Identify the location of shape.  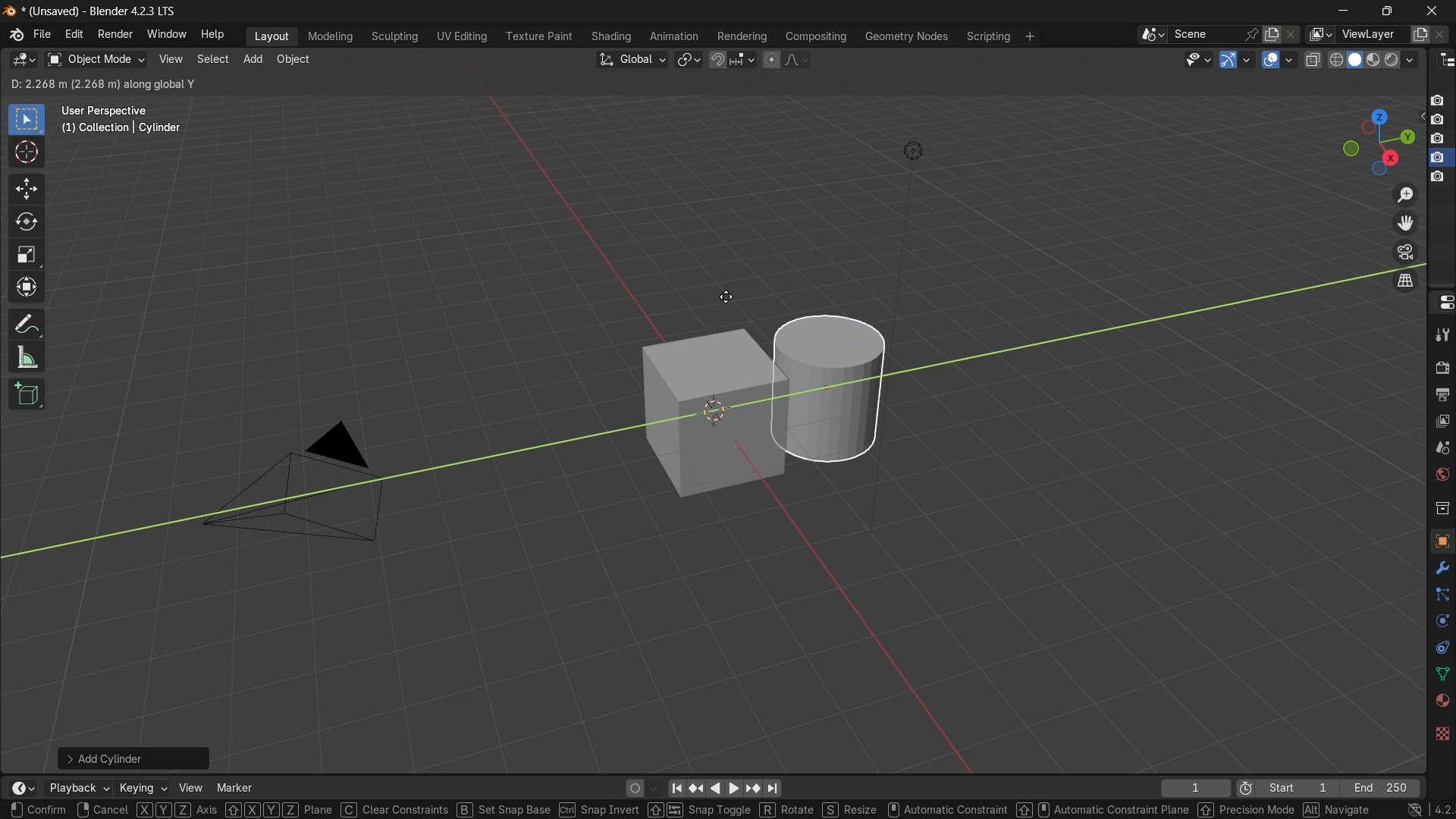
(1438, 672).